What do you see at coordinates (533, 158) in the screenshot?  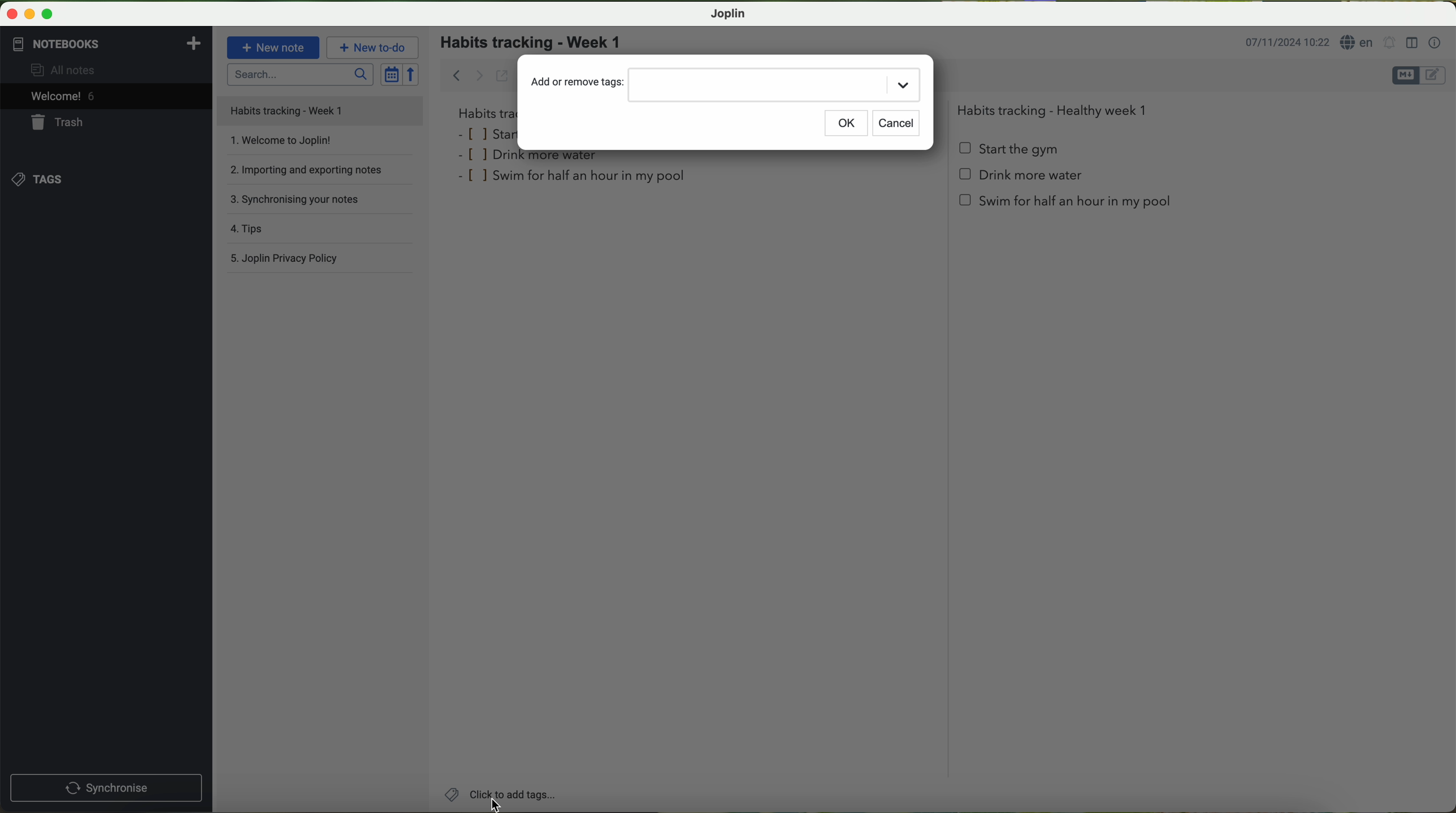 I see `drink more water` at bounding box center [533, 158].